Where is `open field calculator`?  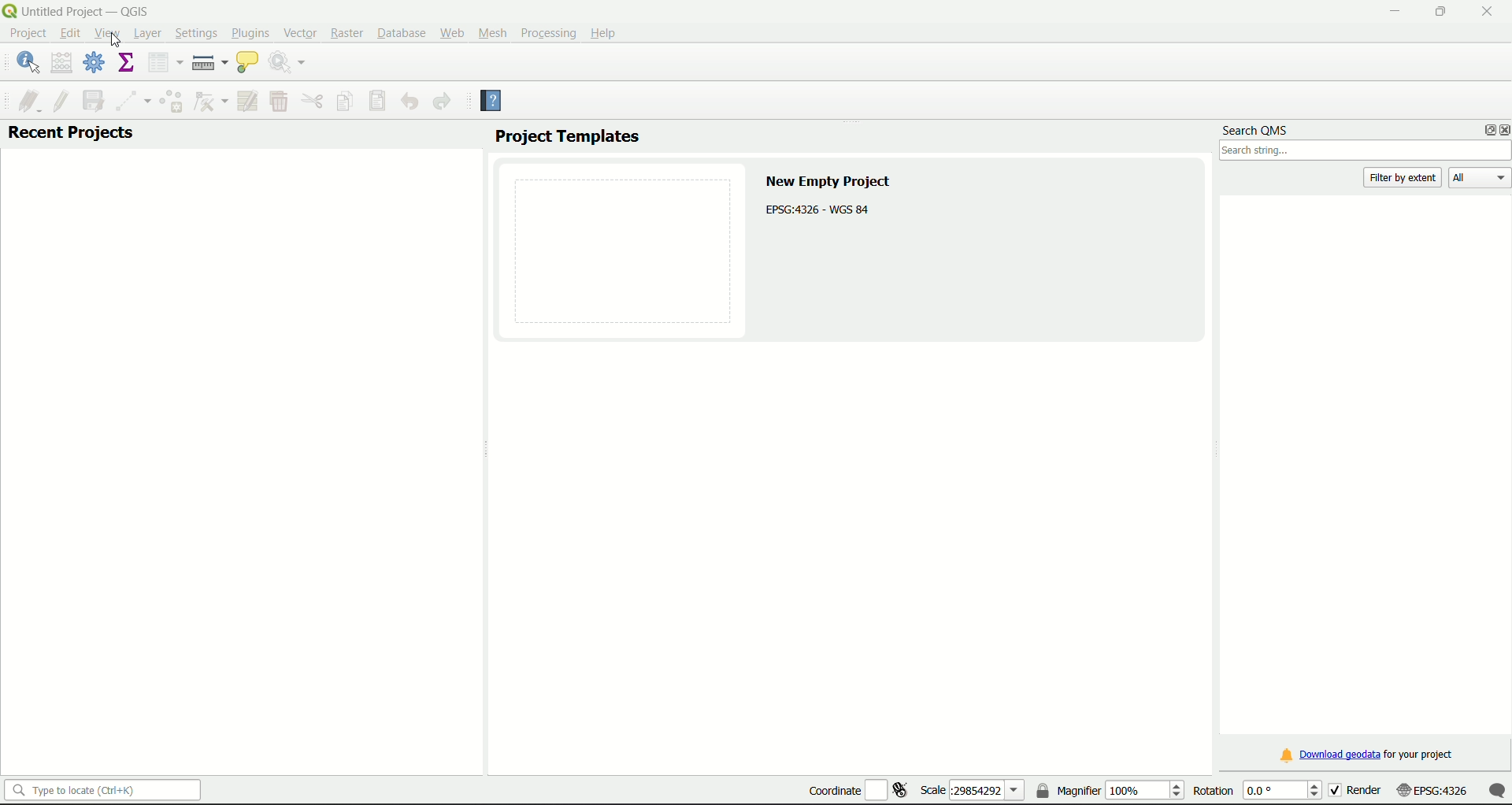
open field calculator is located at coordinates (62, 61).